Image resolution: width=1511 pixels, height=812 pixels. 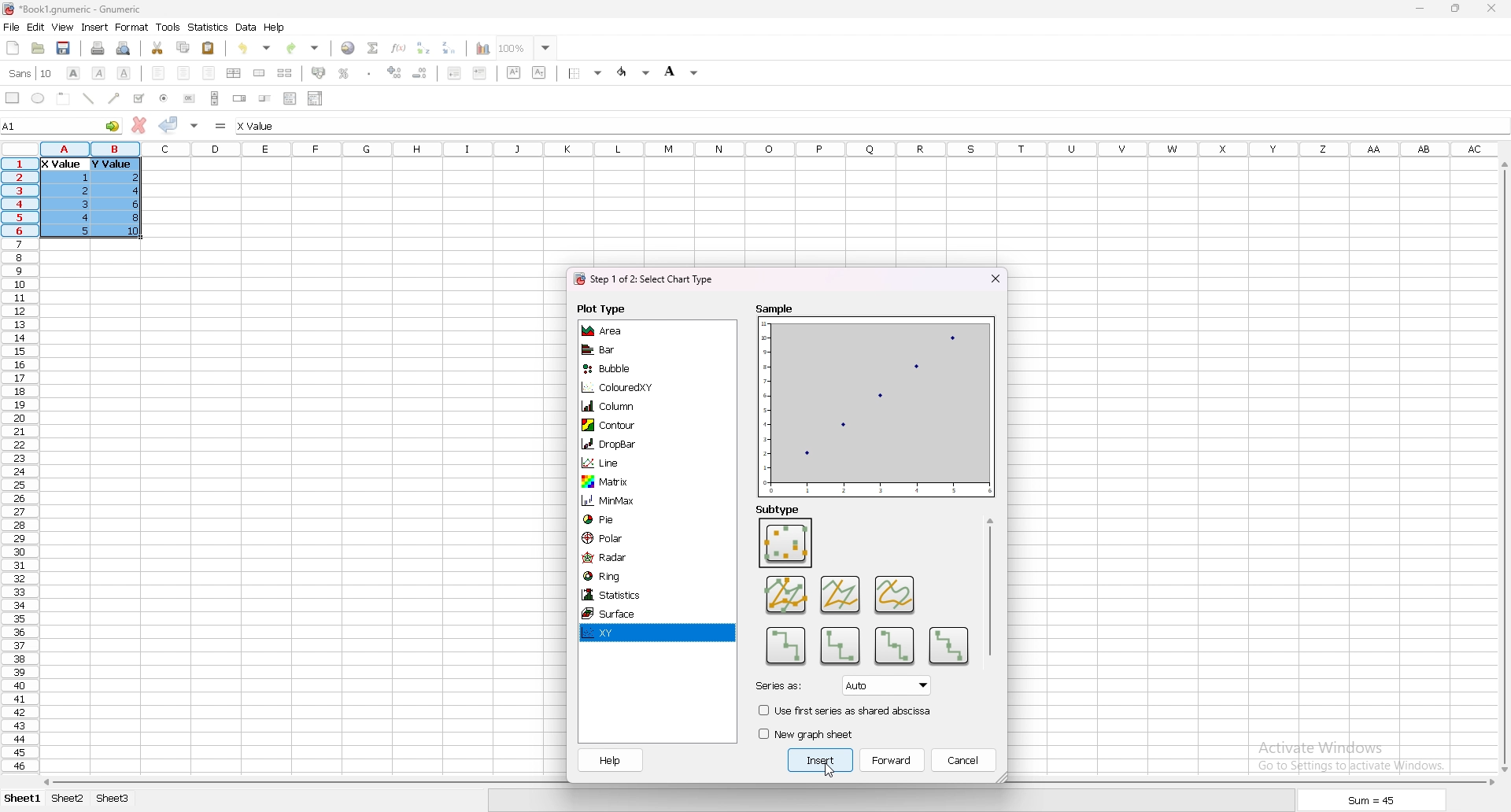 What do you see at coordinates (401, 47) in the screenshot?
I see `function` at bounding box center [401, 47].